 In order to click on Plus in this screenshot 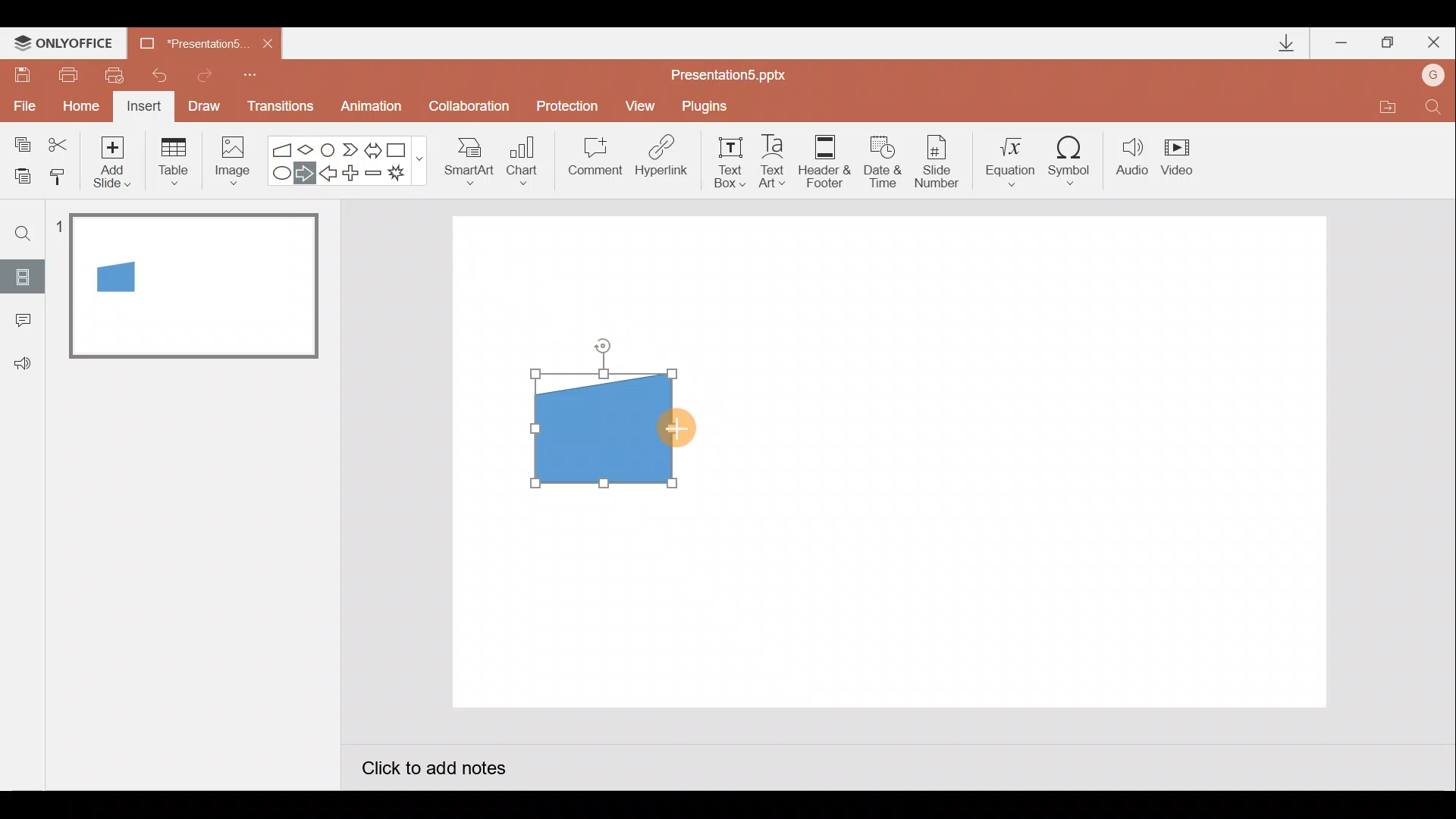, I will do `click(353, 175)`.